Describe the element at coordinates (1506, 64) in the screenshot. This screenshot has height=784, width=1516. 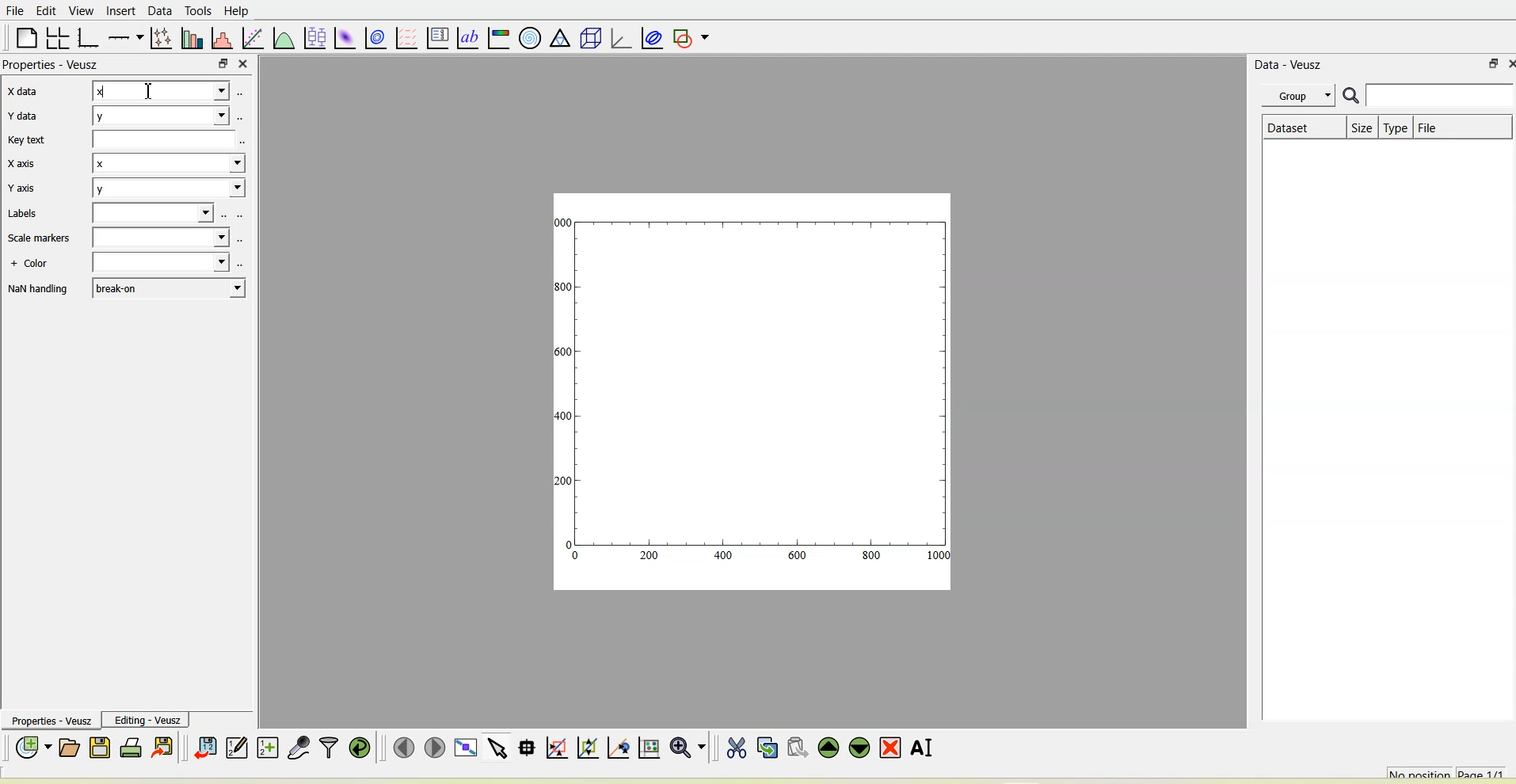
I see `close` at that location.